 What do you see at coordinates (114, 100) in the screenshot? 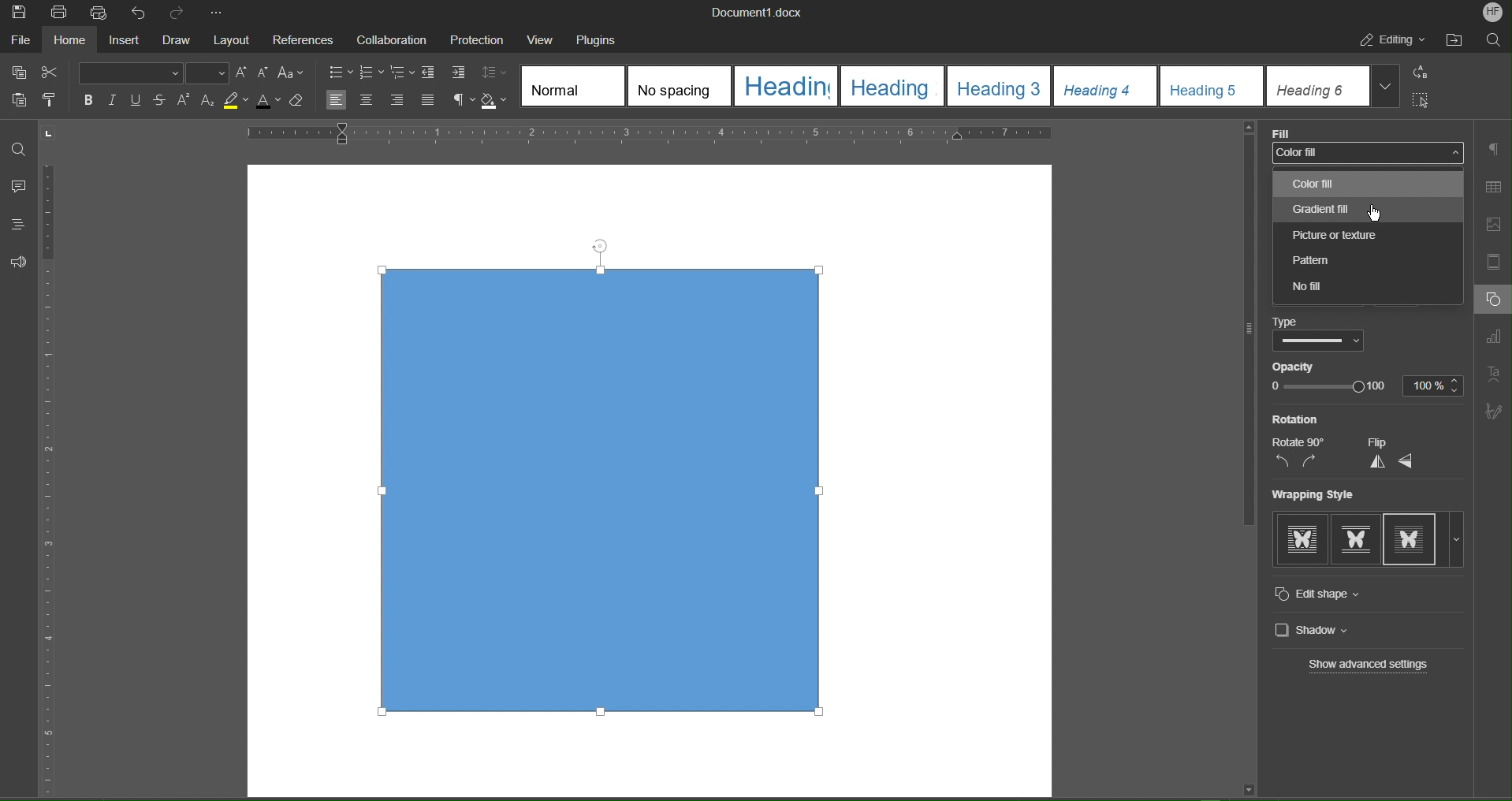
I see `Italics` at bounding box center [114, 100].